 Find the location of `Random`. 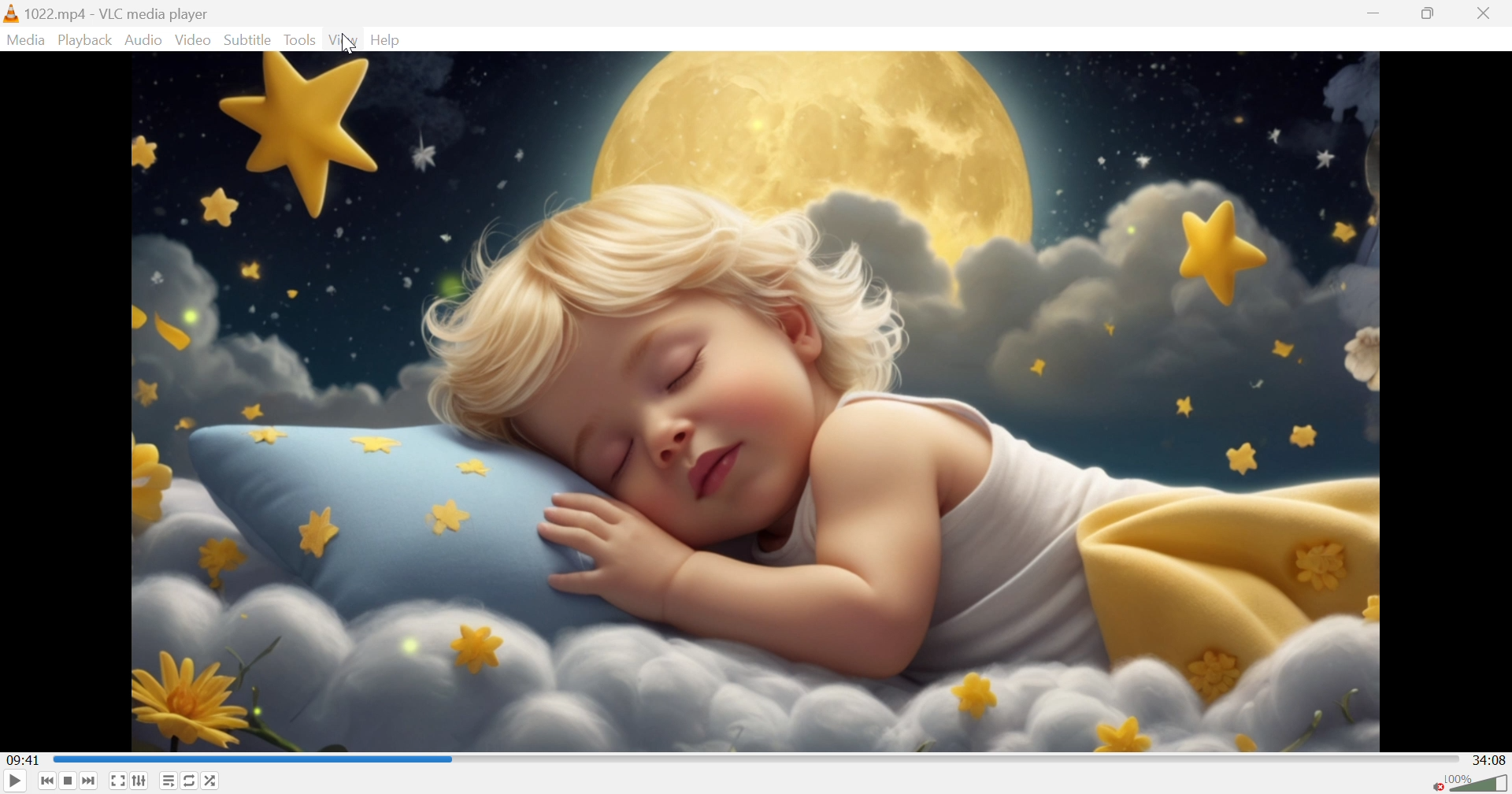

Random is located at coordinates (211, 781).